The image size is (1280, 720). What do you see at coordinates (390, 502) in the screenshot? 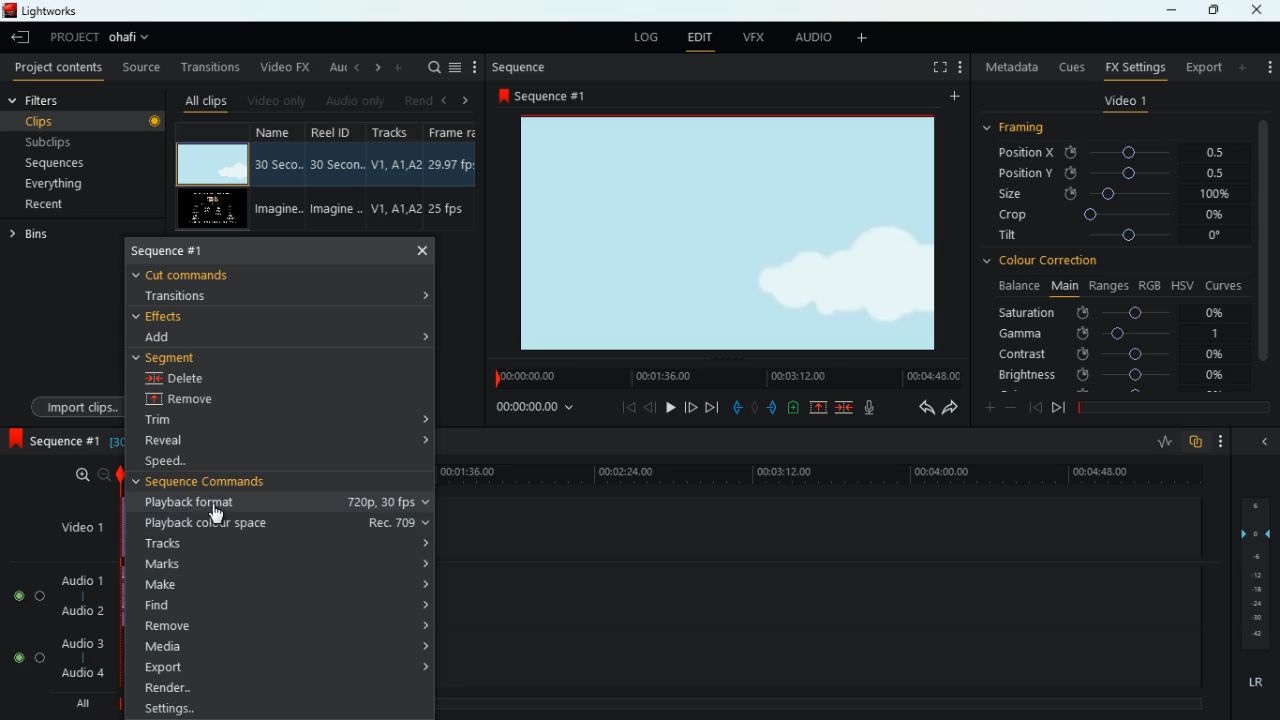
I see `playback format` at bounding box center [390, 502].